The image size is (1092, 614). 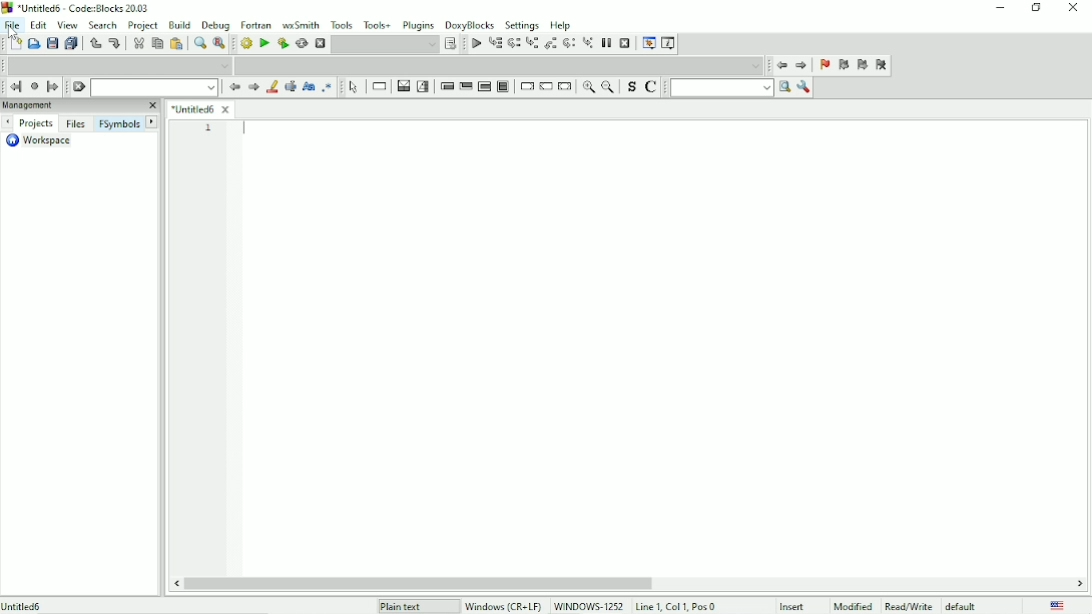 What do you see at coordinates (14, 25) in the screenshot?
I see `File` at bounding box center [14, 25].